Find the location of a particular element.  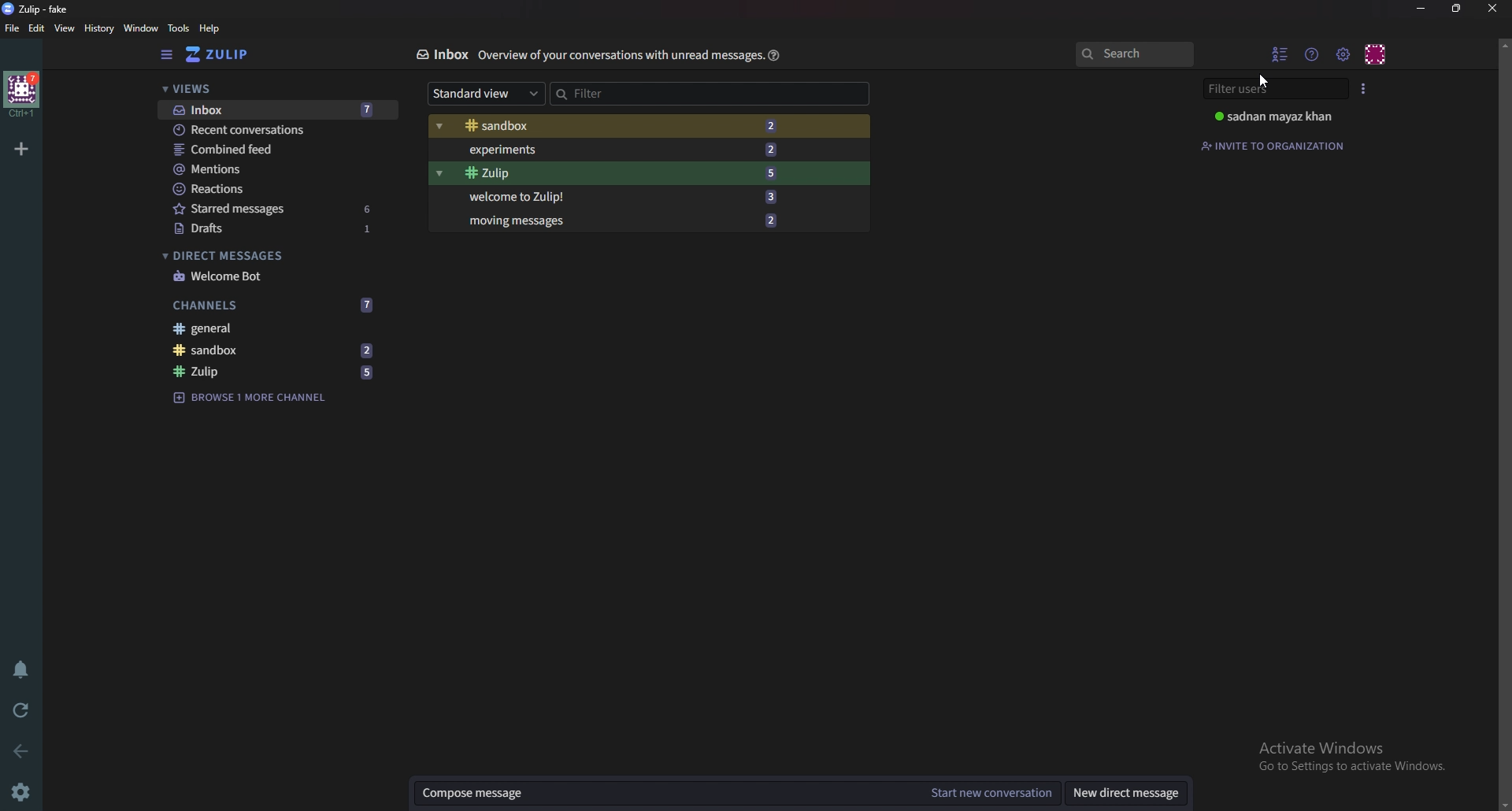

file is located at coordinates (13, 28).